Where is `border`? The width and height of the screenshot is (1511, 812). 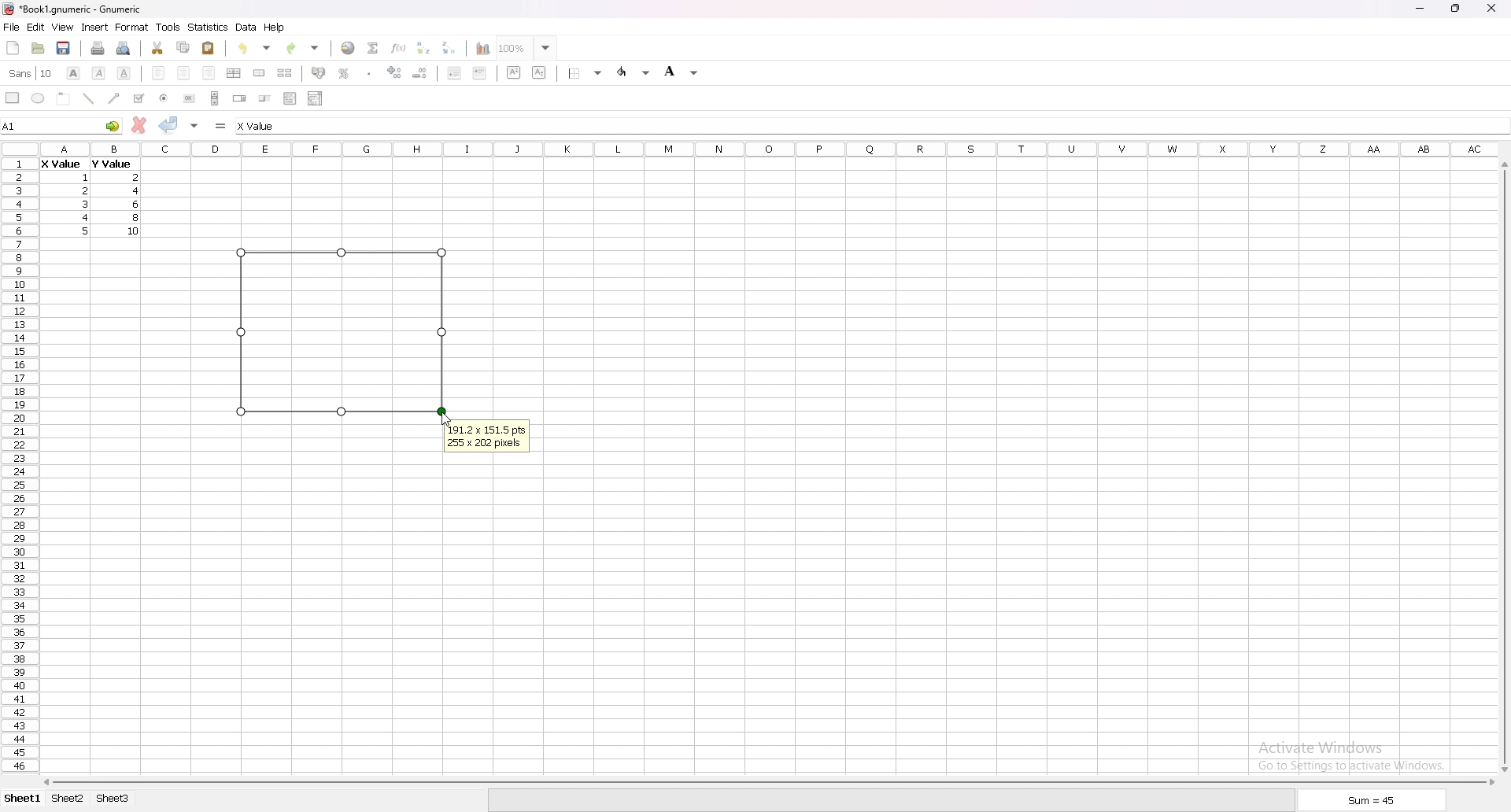
border is located at coordinates (587, 72).